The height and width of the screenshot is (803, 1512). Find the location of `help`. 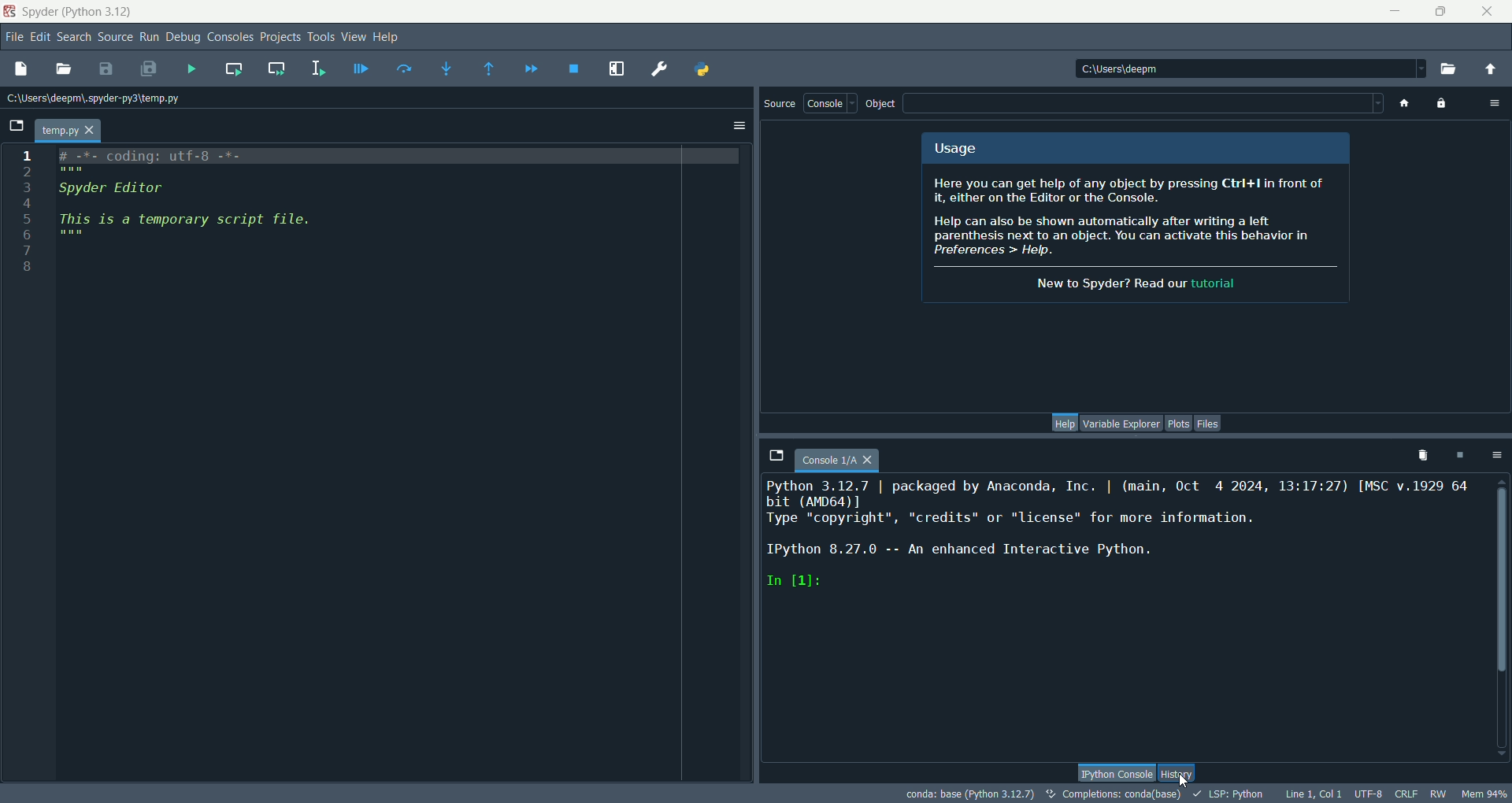

help is located at coordinates (1064, 423).